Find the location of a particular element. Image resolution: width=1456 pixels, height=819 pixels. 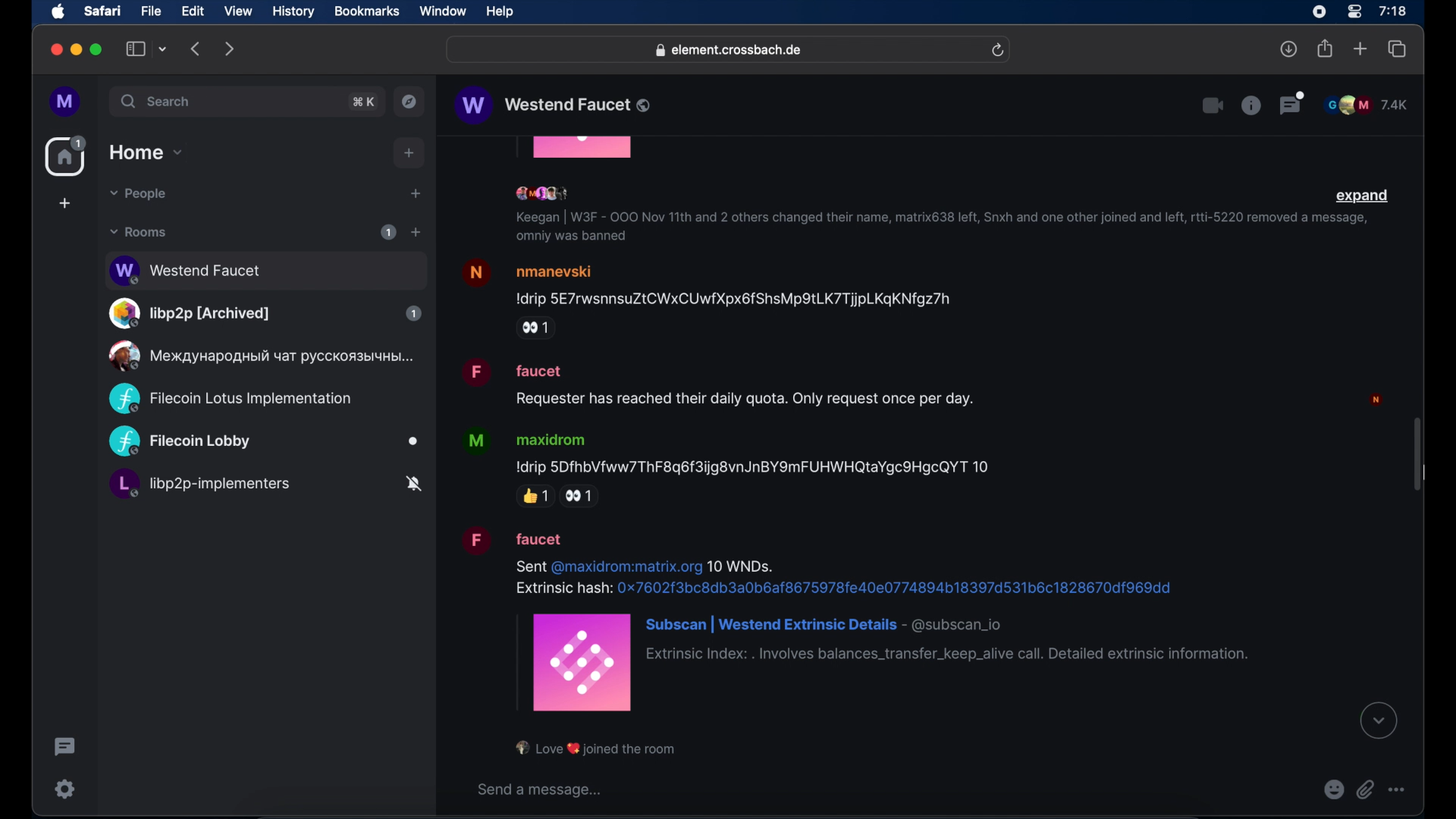

refresh is located at coordinates (997, 51).